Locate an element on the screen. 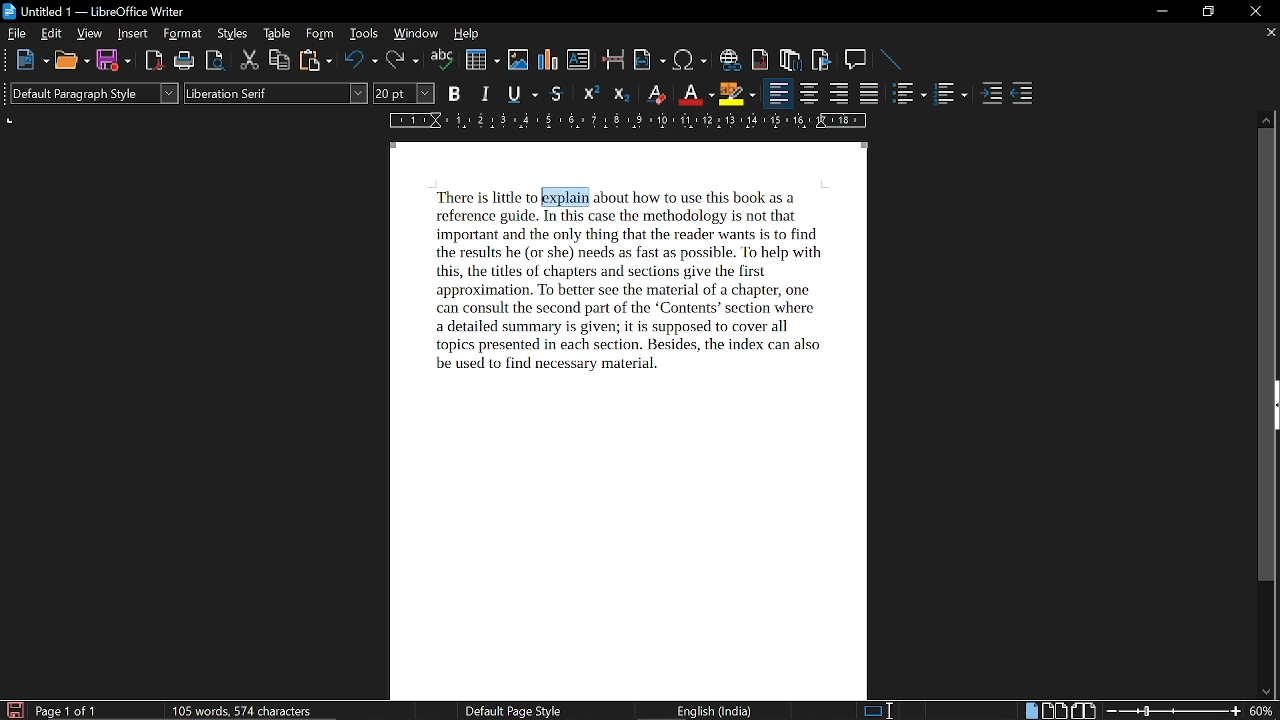  insert comment is located at coordinates (856, 59).